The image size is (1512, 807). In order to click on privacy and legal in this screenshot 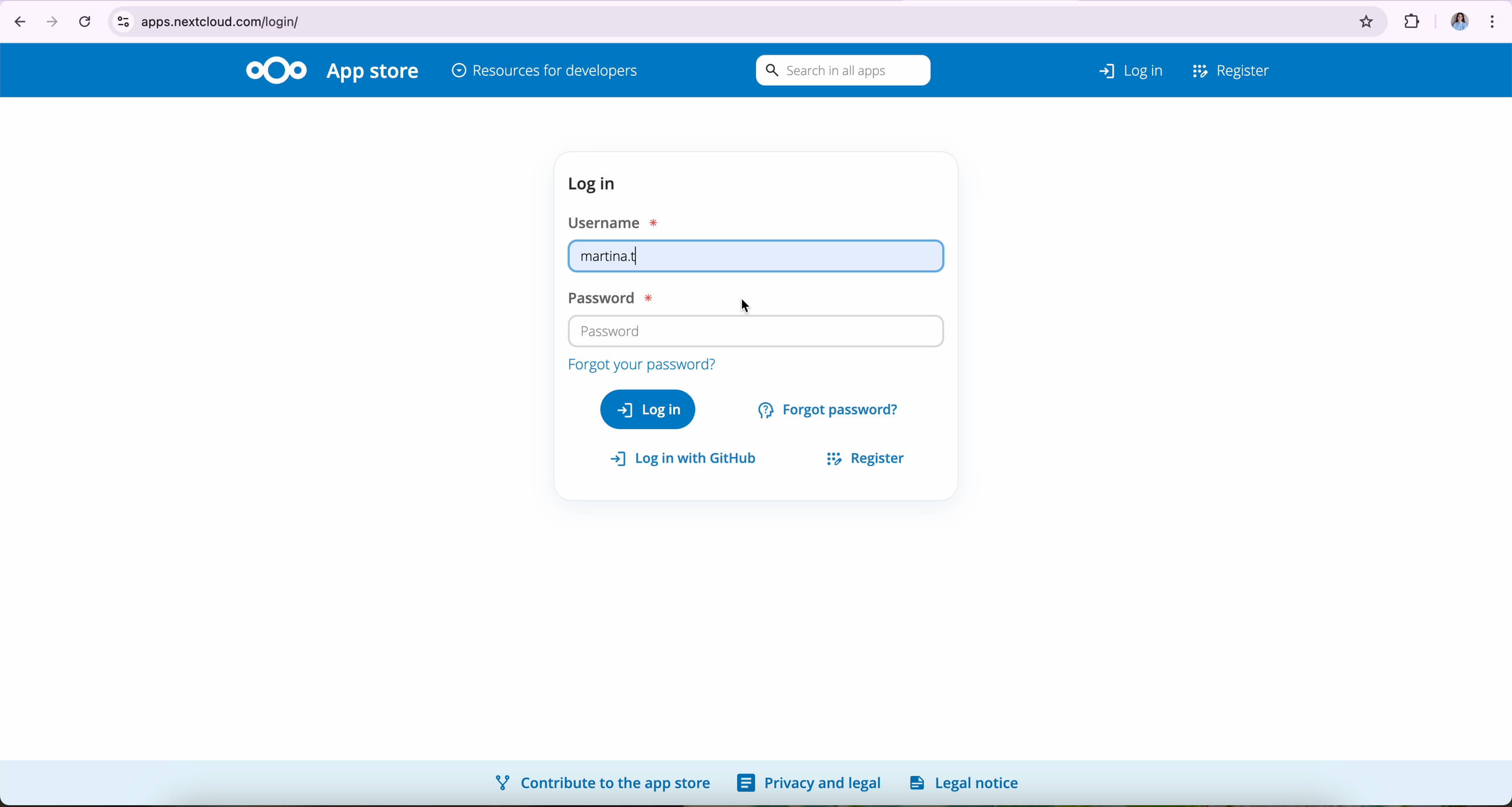, I will do `click(809, 784)`.